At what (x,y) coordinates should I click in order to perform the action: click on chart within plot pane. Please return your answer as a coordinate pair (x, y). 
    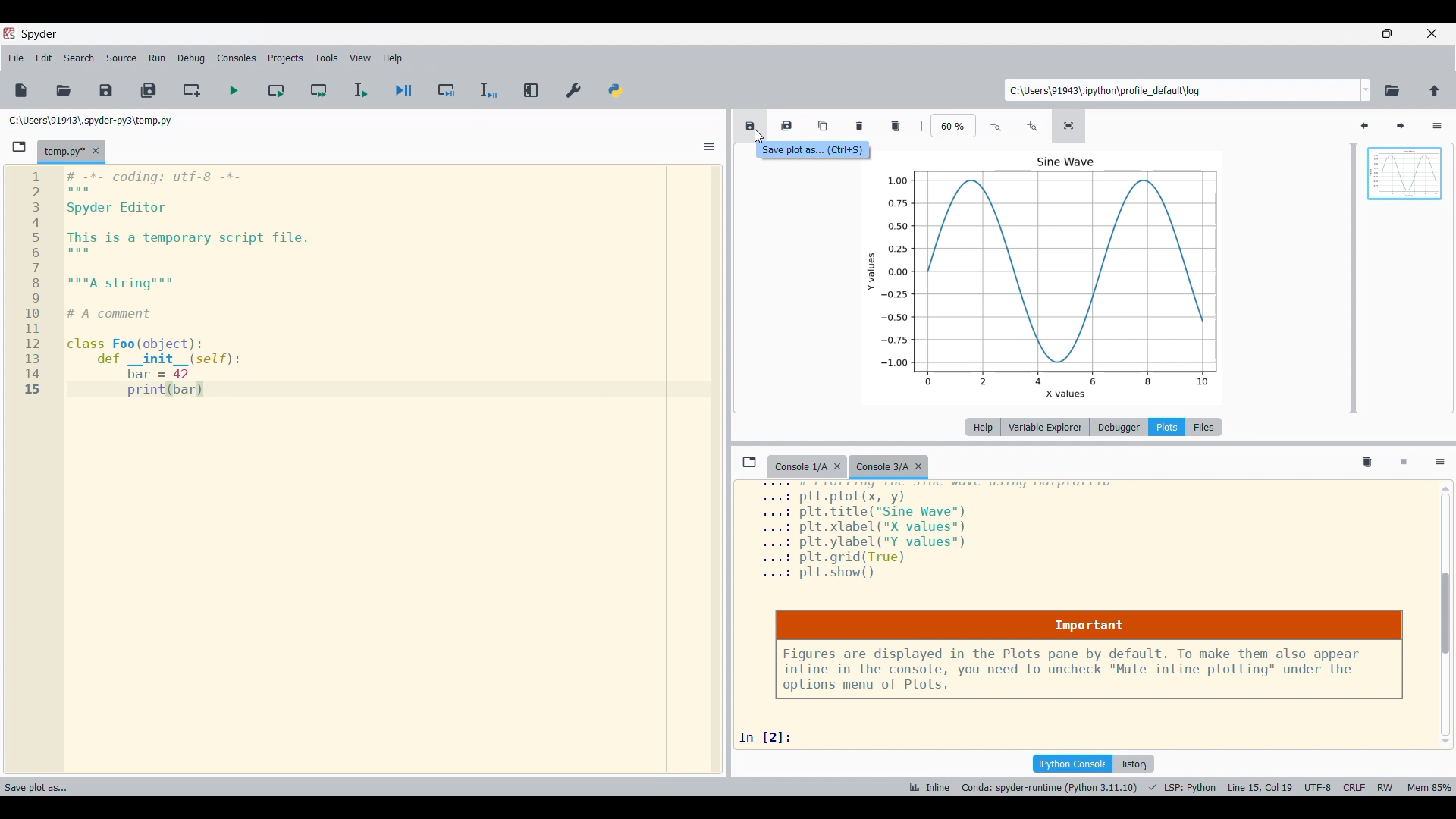
    Looking at the image, I should click on (1057, 276).